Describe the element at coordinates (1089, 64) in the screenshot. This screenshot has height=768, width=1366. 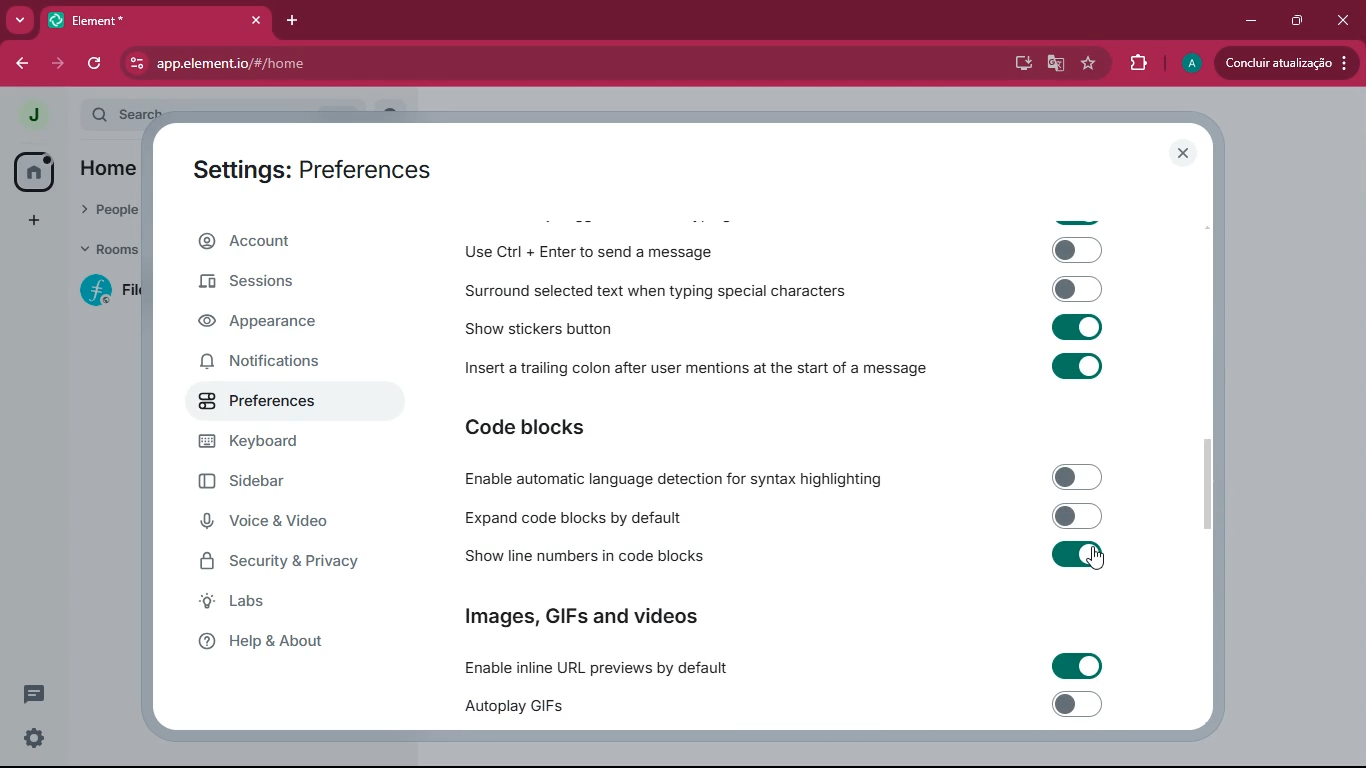
I see `favourite` at that location.